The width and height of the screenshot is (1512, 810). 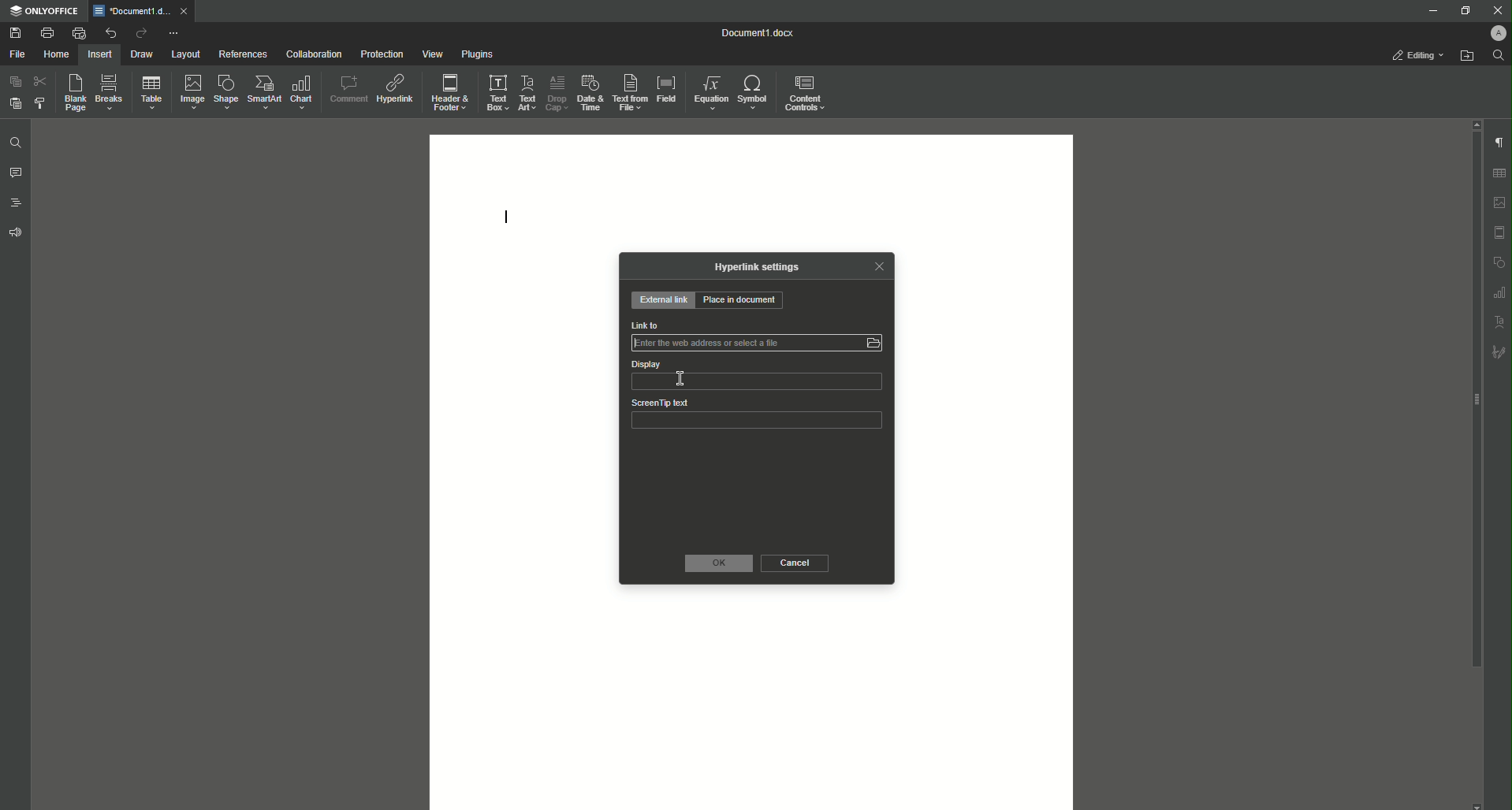 I want to click on OK, so click(x=718, y=563).